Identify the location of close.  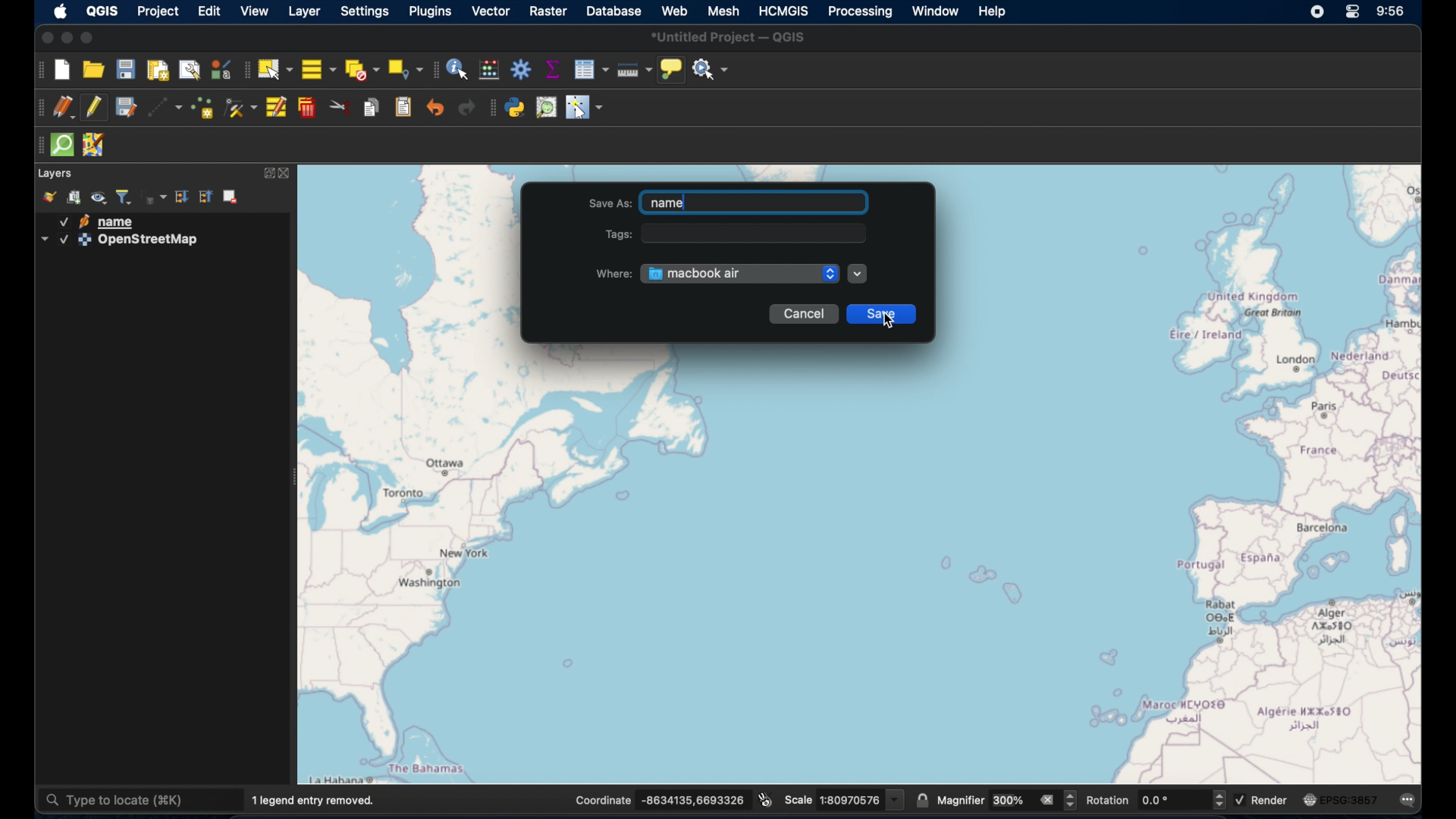
(287, 174).